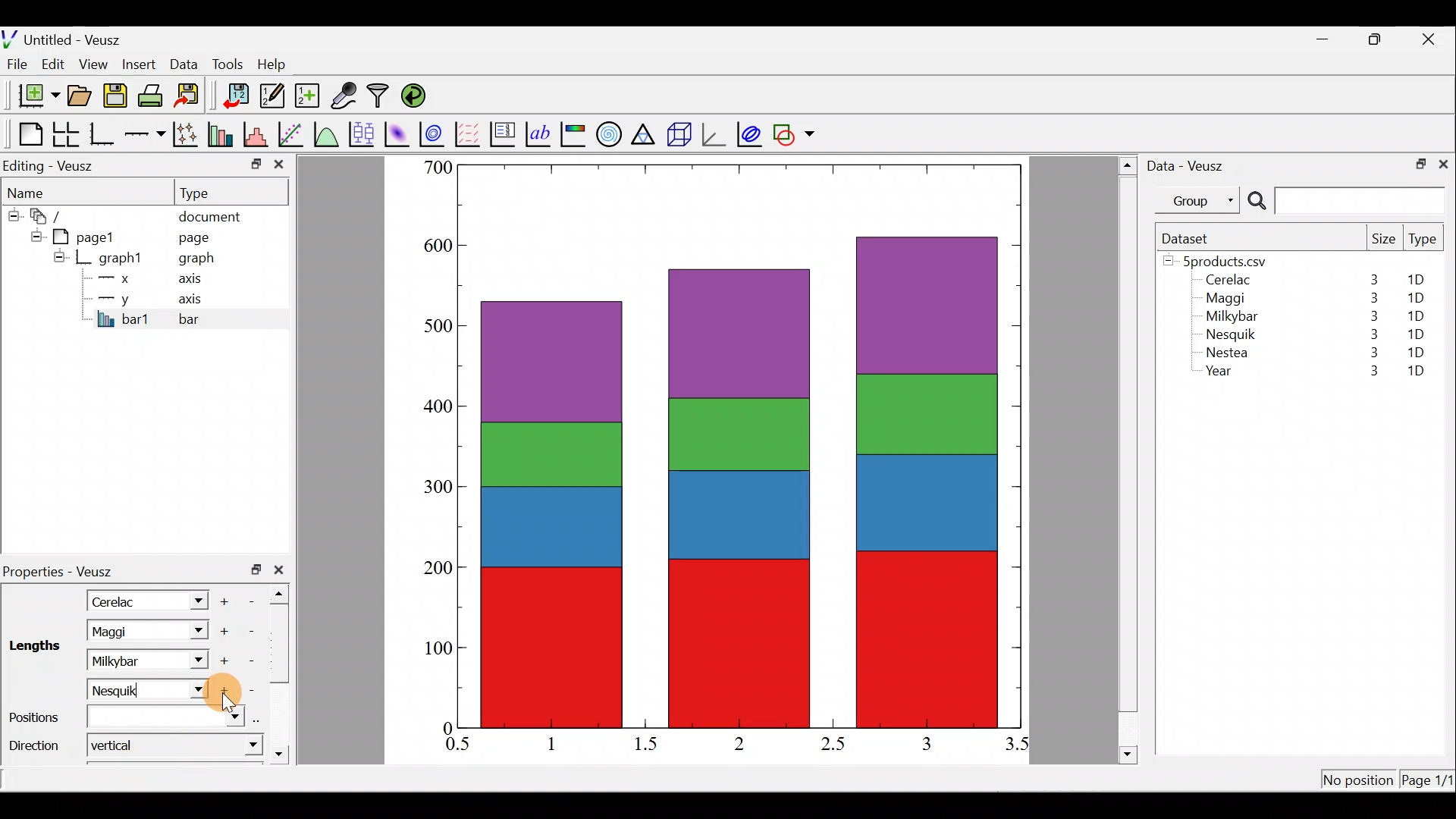 The width and height of the screenshot is (1456, 819). What do you see at coordinates (35, 190) in the screenshot?
I see `Name` at bounding box center [35, 190].